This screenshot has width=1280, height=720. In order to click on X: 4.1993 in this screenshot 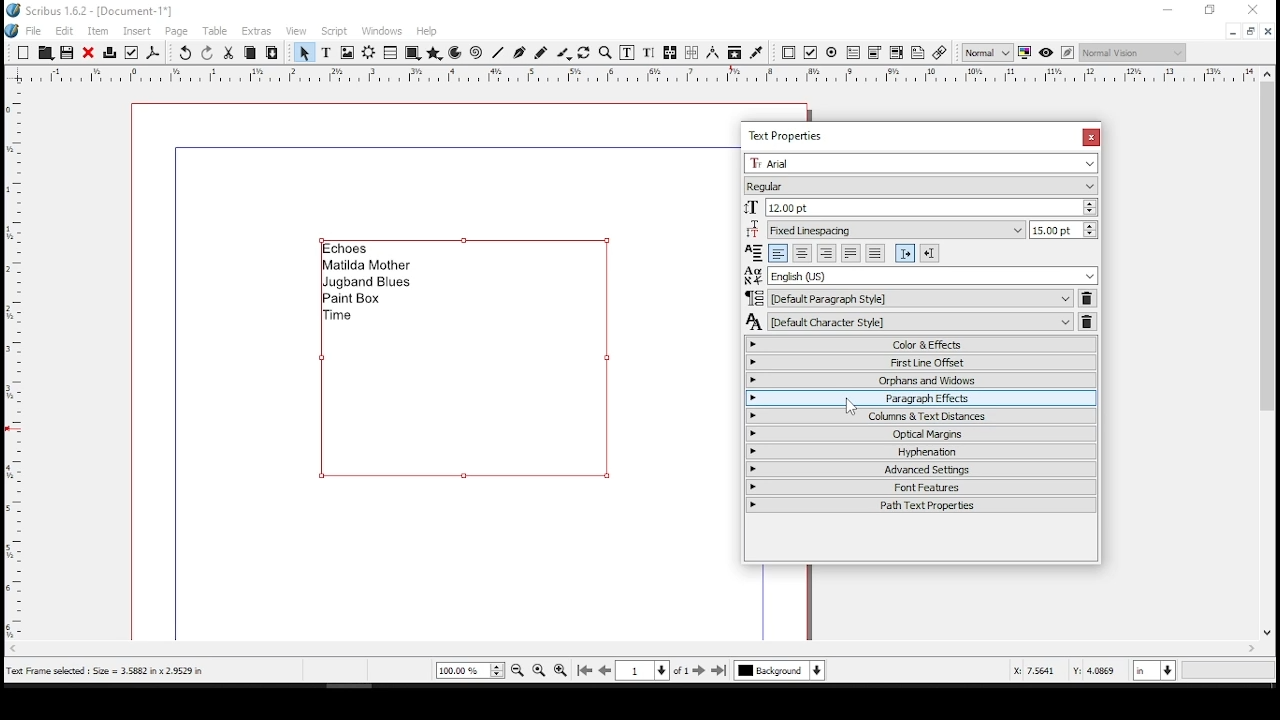, I will do `click(1029, 670)`.